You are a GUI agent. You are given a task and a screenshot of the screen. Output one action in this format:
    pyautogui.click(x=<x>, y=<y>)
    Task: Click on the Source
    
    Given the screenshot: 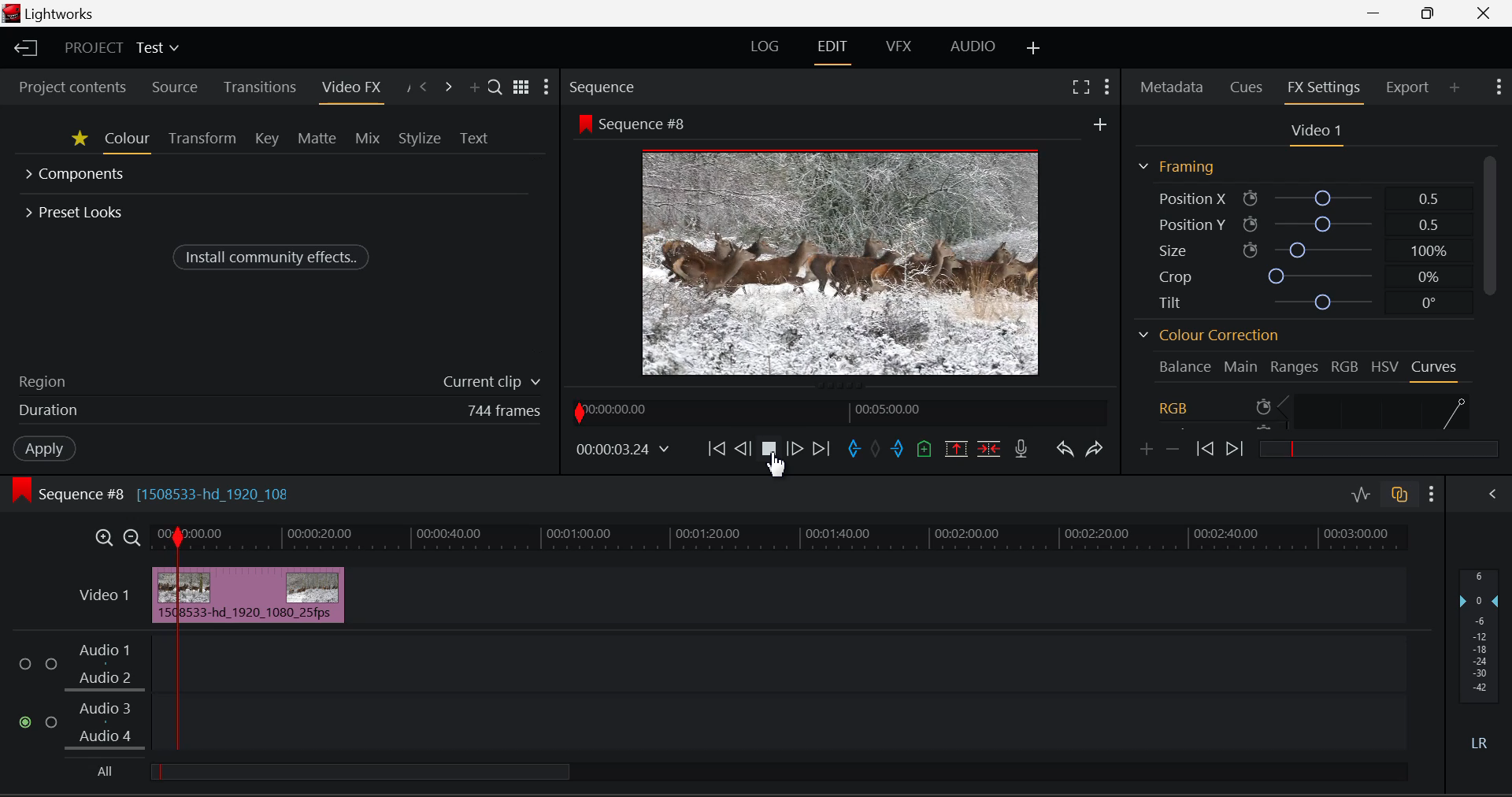 What is the action you would take?
    pyautogui.click(x=174, y=87)
    